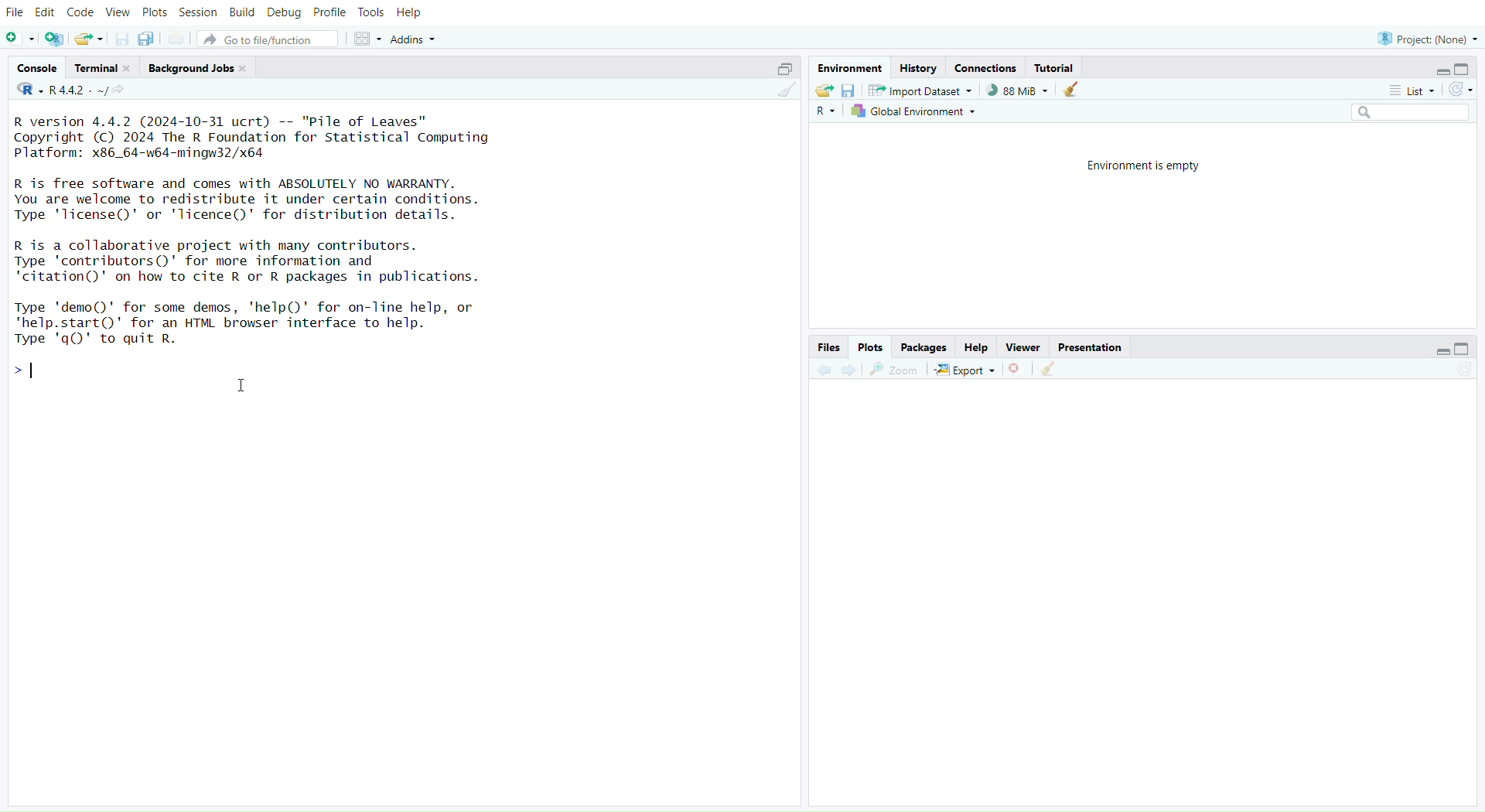  Describe the element at coordinates (329, 12) in the screenshot. I see `profile` at that location.